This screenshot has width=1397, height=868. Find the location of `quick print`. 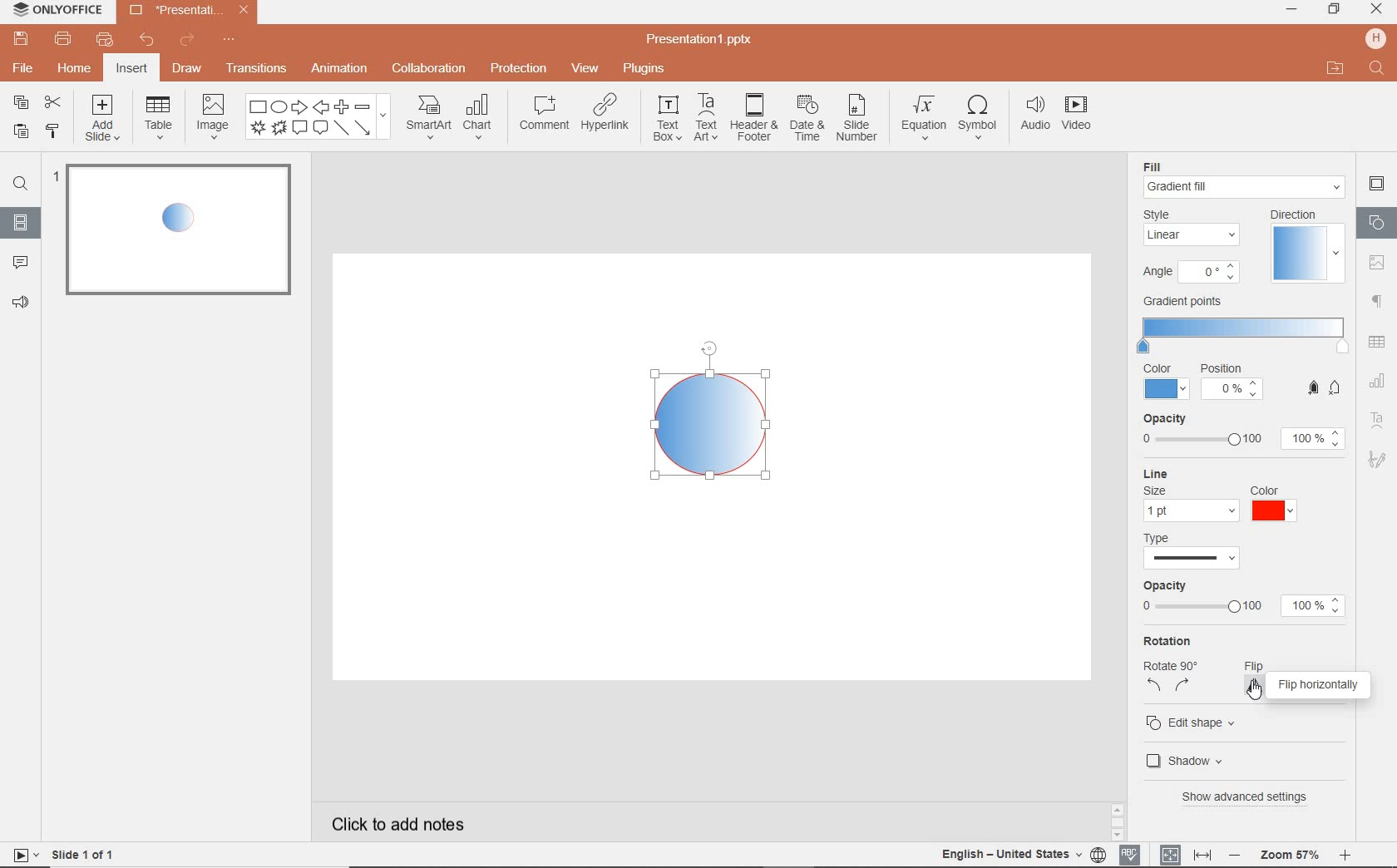

quick print is located at coordinates (108, 38).